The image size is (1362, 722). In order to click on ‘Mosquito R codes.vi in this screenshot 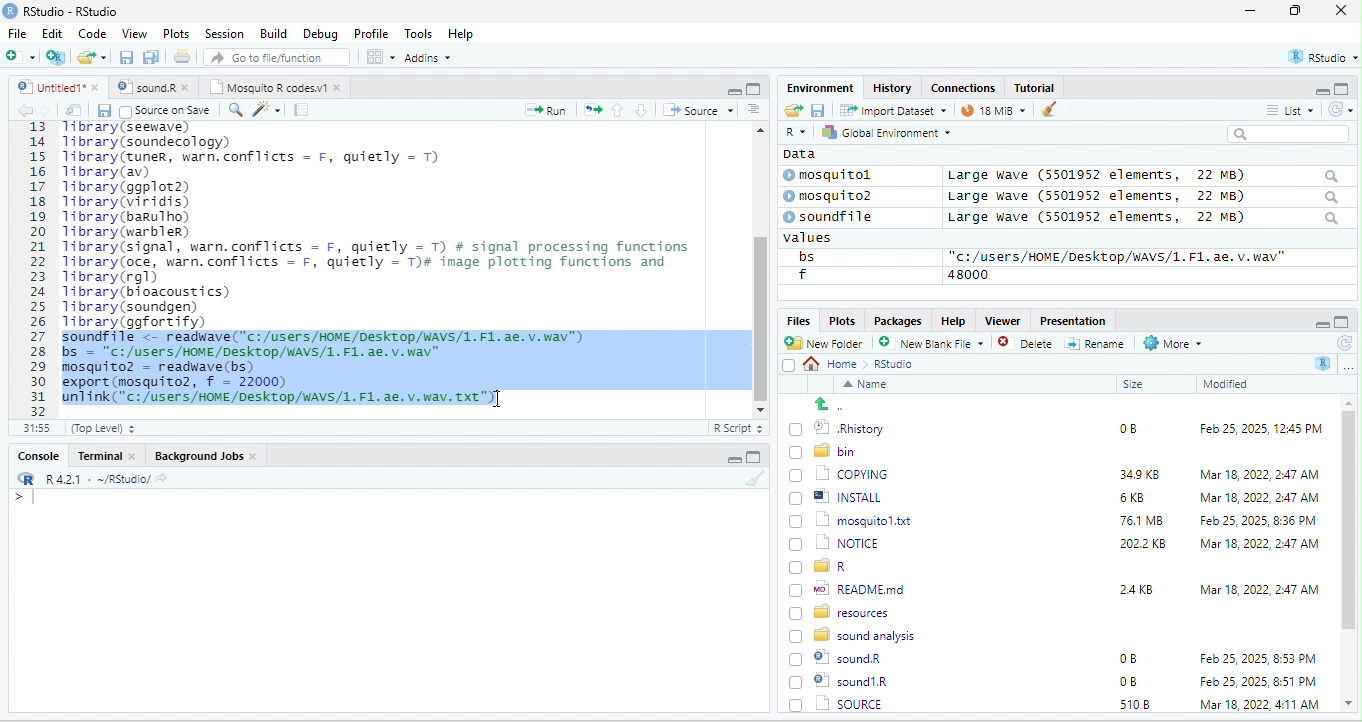, I will do `click(150, 87)`.